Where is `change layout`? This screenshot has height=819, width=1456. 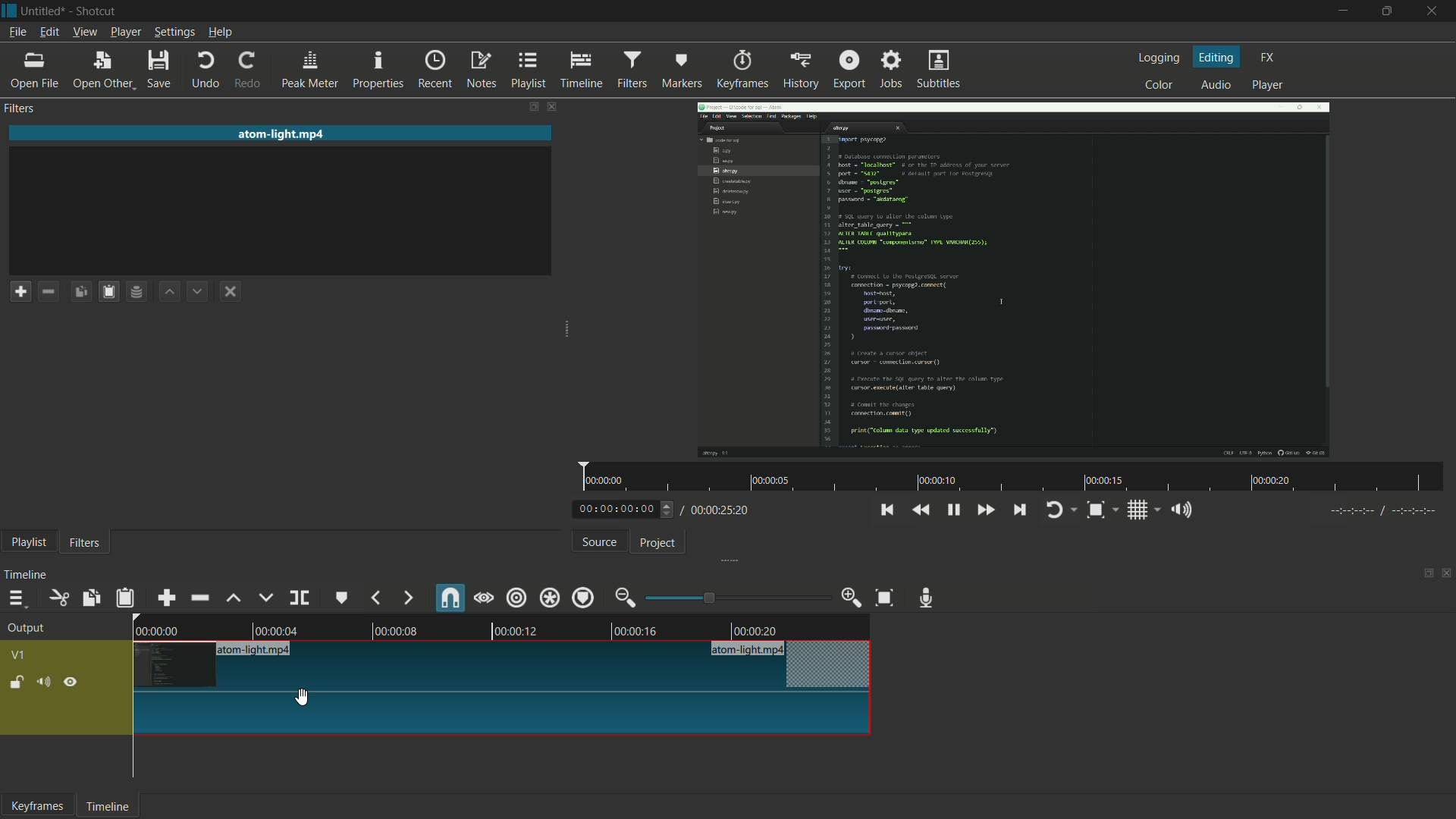
change layout is located at coordinates (1425, 575).